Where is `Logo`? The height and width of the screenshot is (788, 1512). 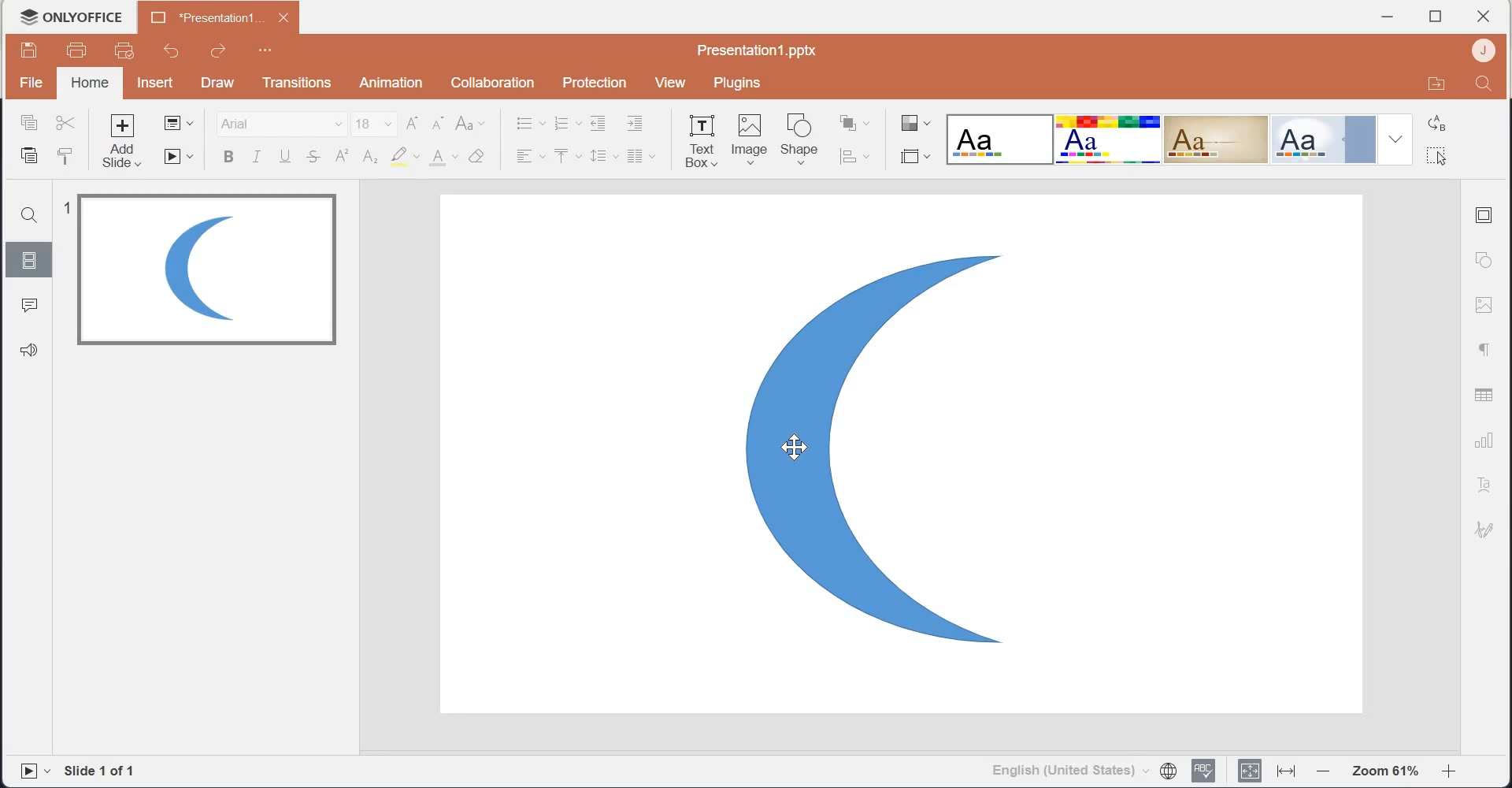
Logo is located at coordinates (70, 17).